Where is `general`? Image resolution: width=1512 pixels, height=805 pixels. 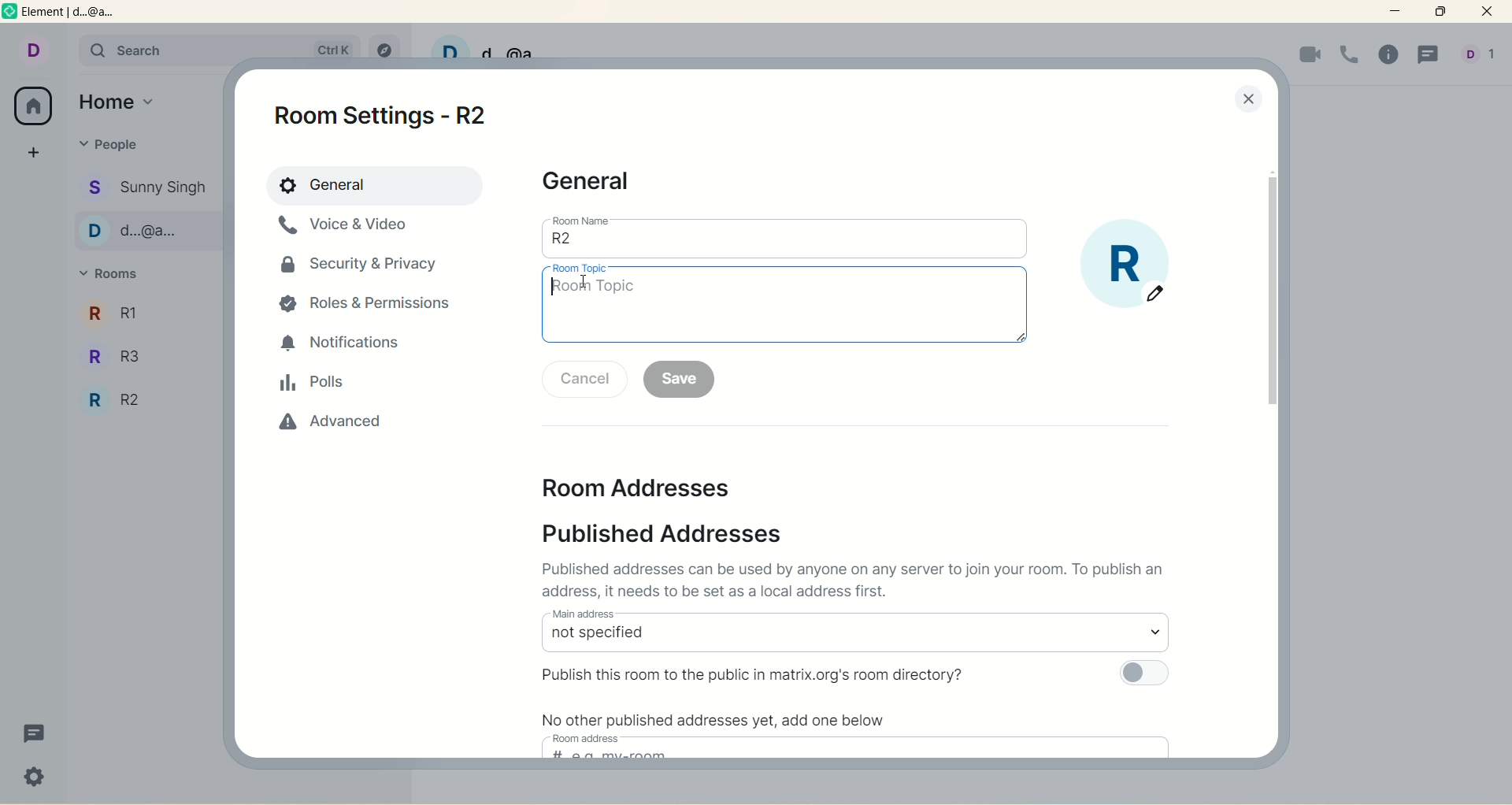 general is located at coordinates (592, 183).